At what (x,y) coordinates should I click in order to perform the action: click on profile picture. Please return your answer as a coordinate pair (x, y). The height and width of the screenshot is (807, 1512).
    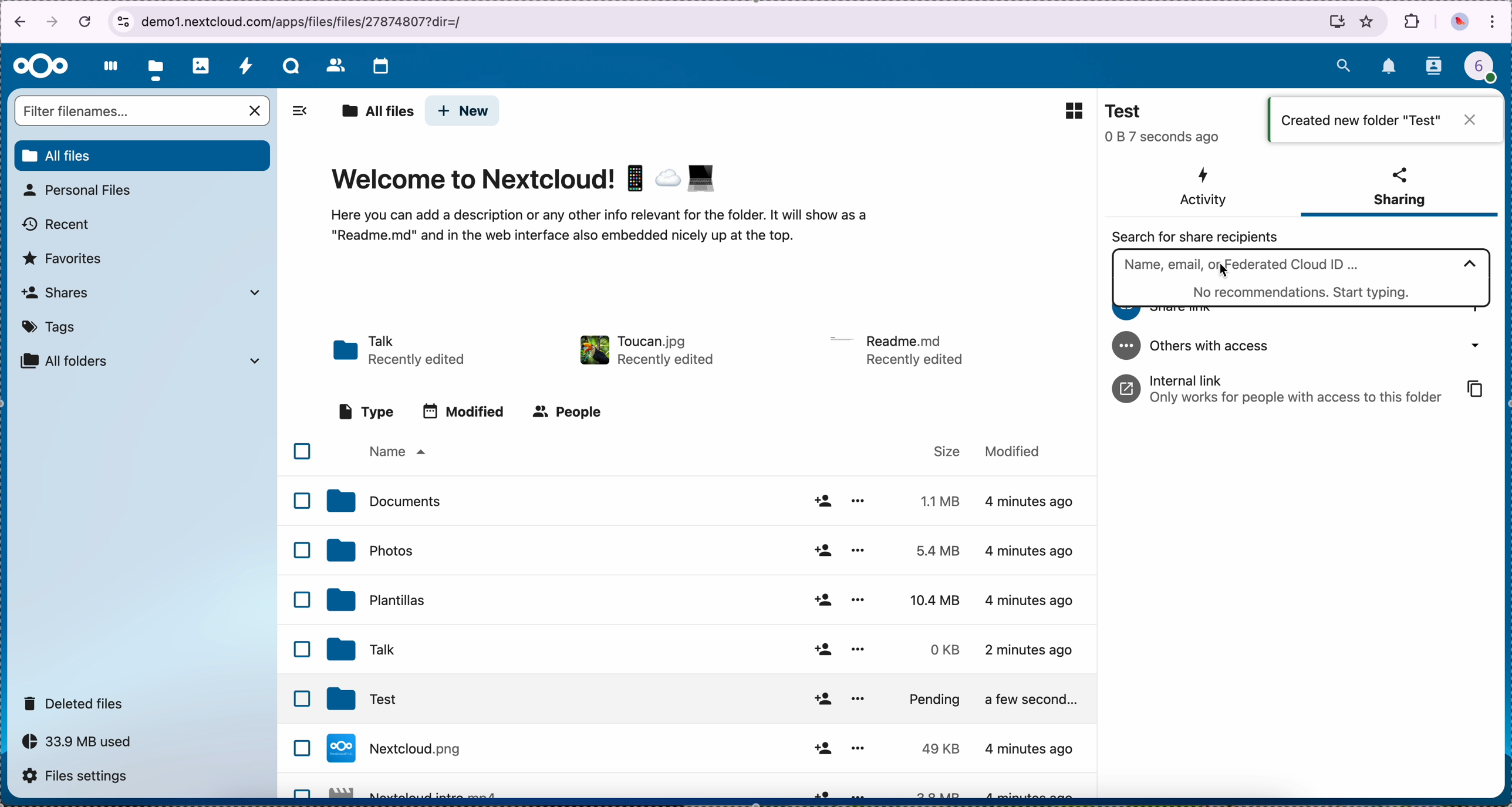
    Looking at the image, I should click on (1460, 23).